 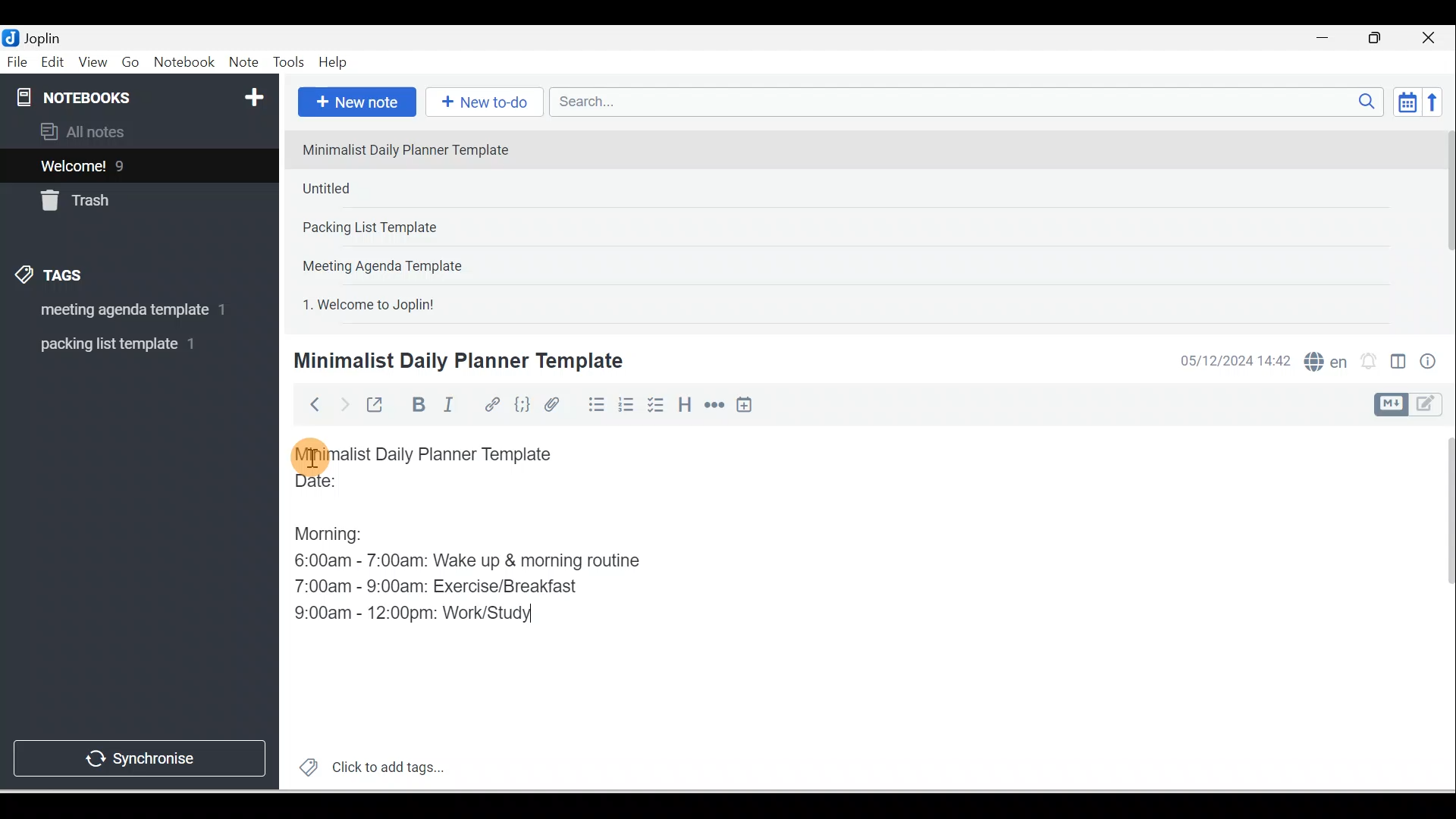 I want to click on Date:, so click(x=359, y=488).